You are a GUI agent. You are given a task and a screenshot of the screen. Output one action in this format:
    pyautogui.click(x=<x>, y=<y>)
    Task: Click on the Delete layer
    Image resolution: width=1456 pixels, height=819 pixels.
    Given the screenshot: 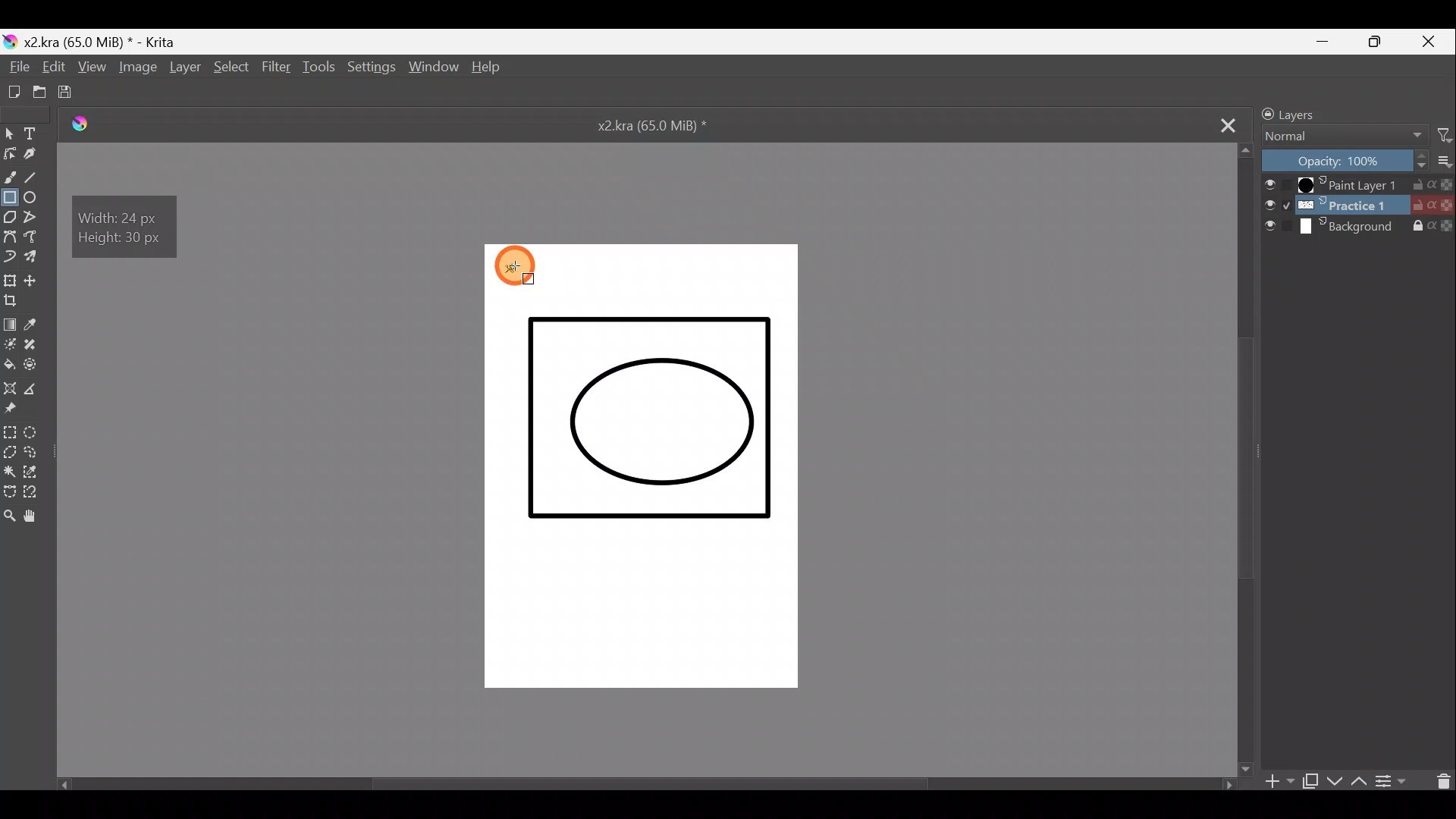 What is the action you would take?
    pyautogui.click(x=1438, y=783)
    